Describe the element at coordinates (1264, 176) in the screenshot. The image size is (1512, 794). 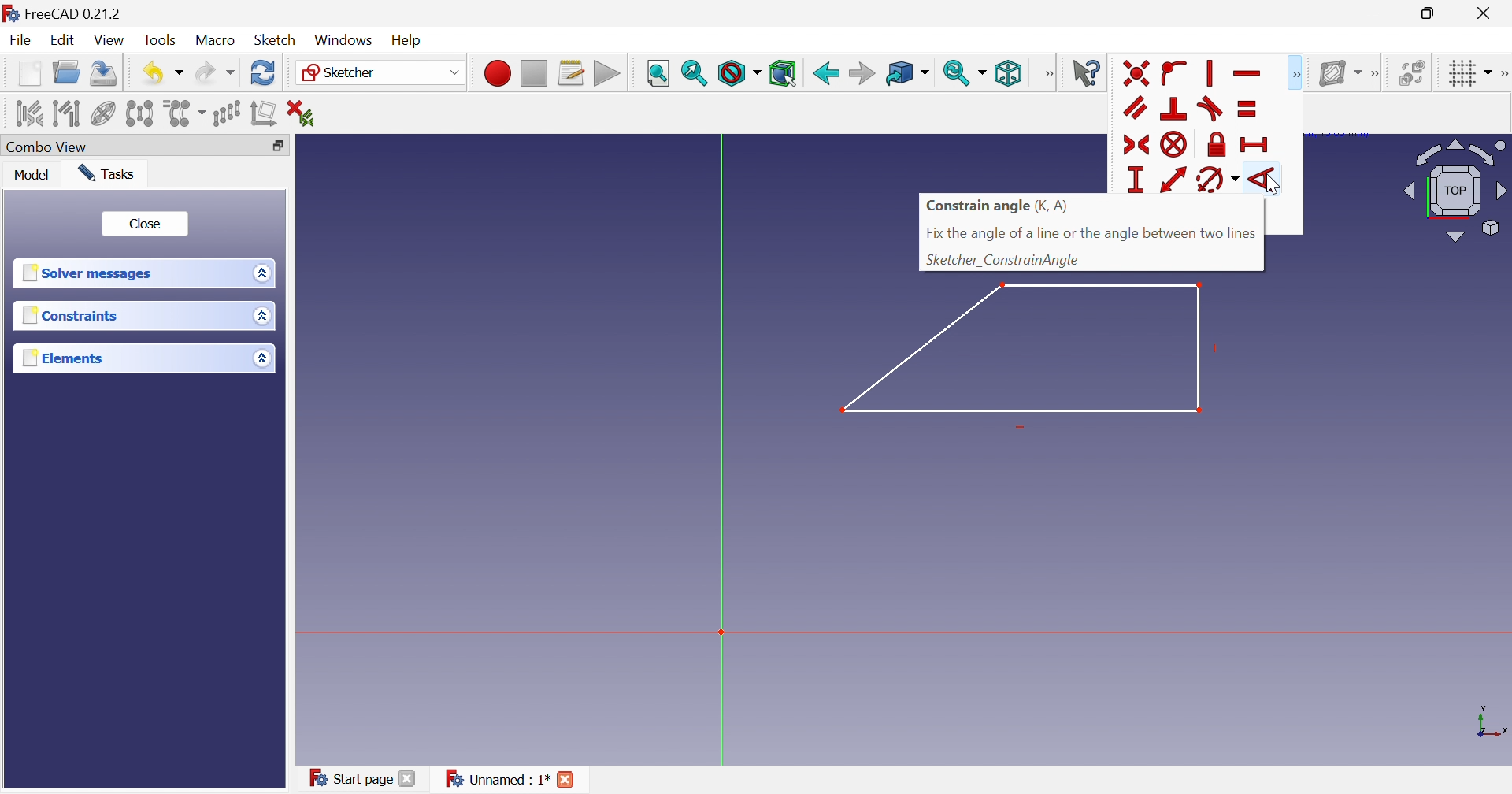
I see `Constraint angle` at that location.